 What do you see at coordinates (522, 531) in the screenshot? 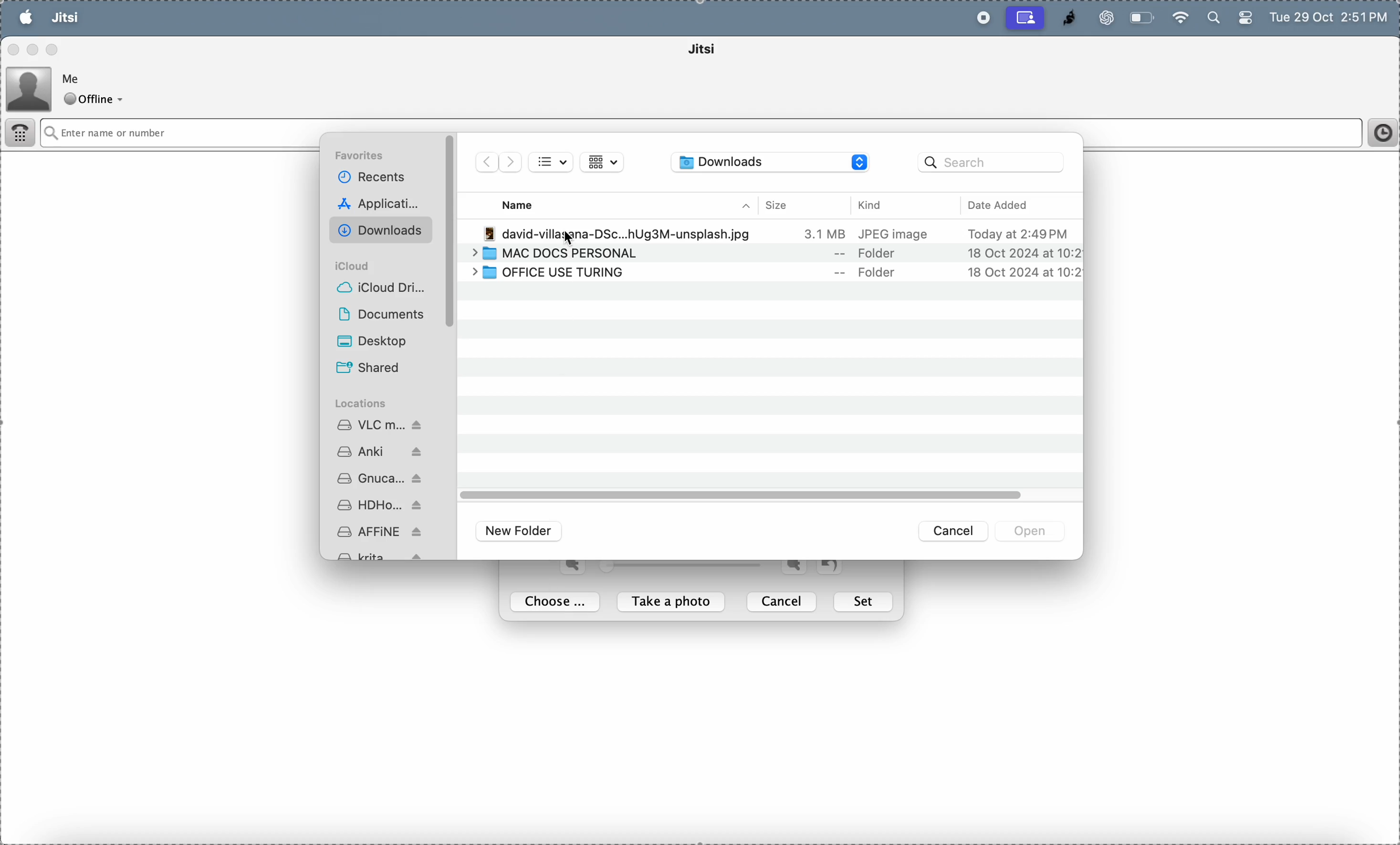
I see `new folder` at bounding box center [522, 531].